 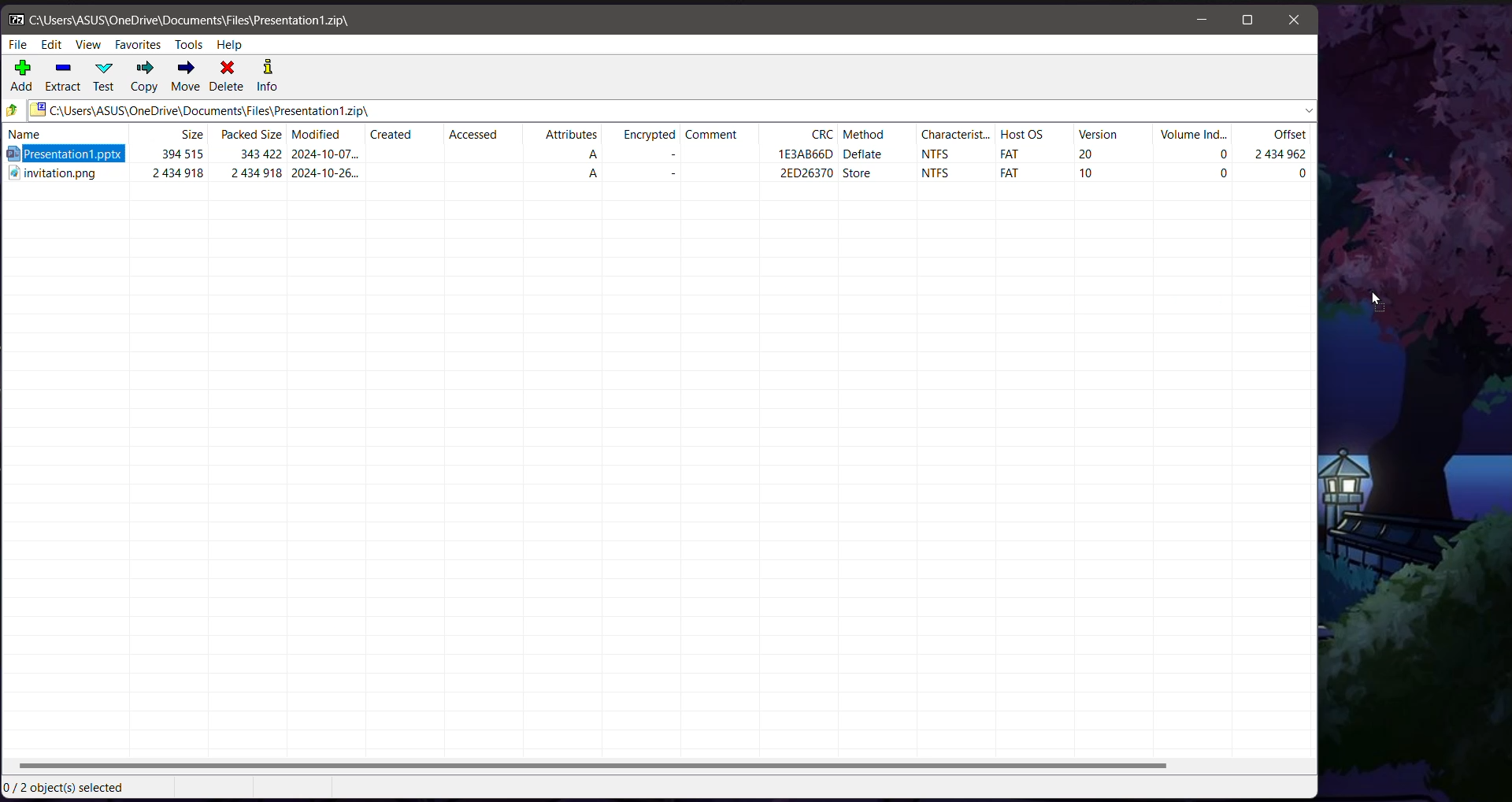 What do you see at coordinates (1192, 135) in the screenshot?
I see `Volume Ind...` at bounding box center [1192, 135].